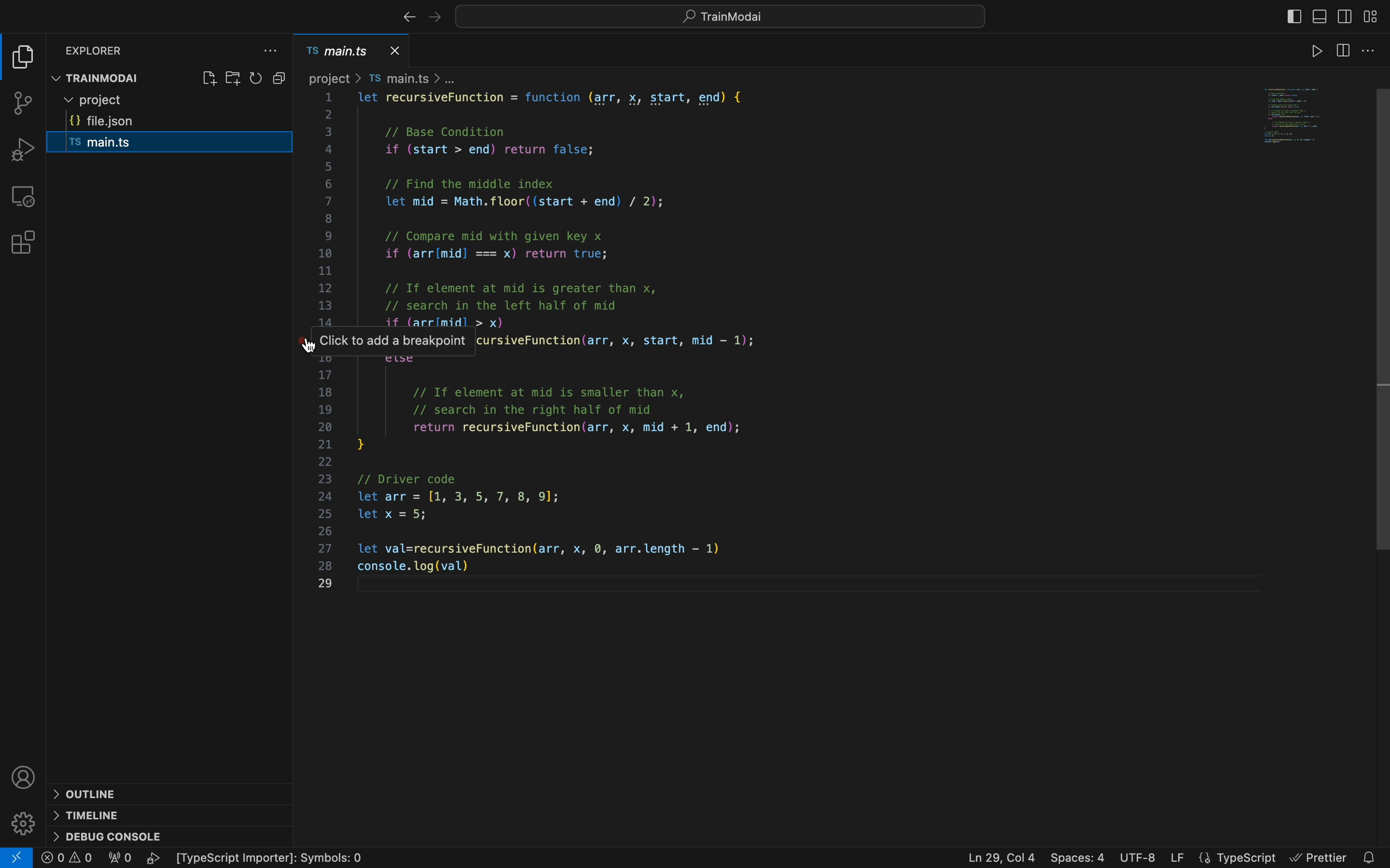 This screenshot has width=1390, height=868. Describe the element at coordinates (1369, 52) in the screenshot. I see `file settings` at that location.